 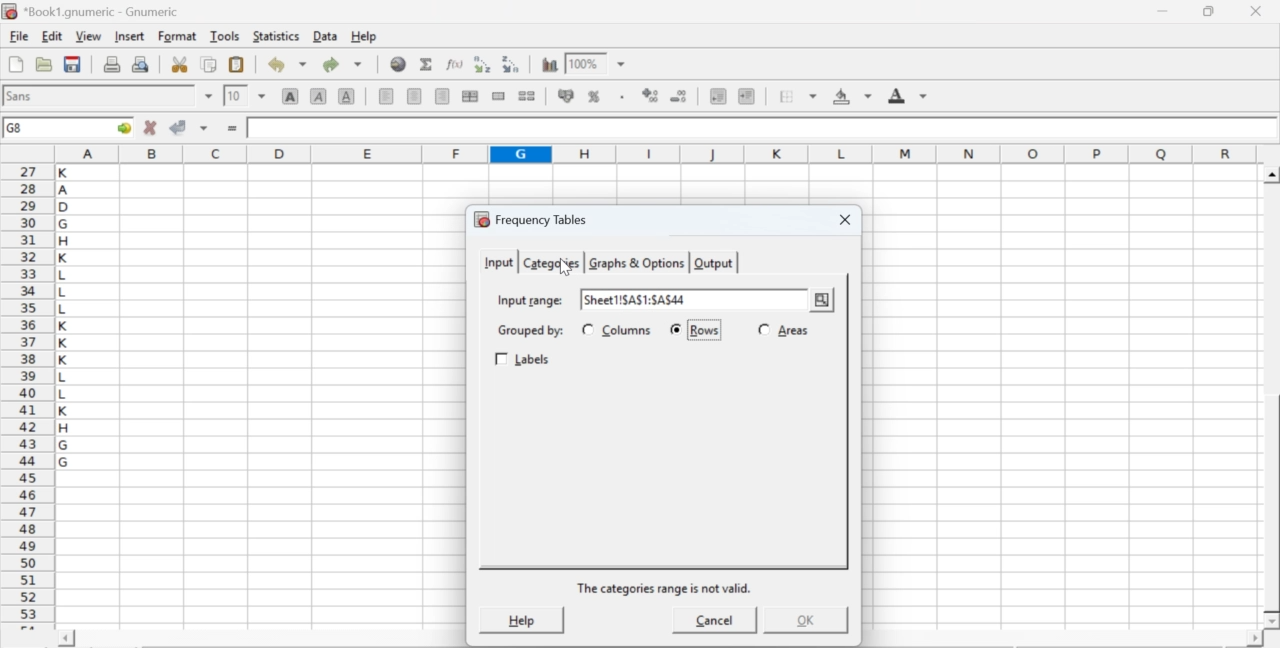 I want to click on areas, so click(x=793, y=330).